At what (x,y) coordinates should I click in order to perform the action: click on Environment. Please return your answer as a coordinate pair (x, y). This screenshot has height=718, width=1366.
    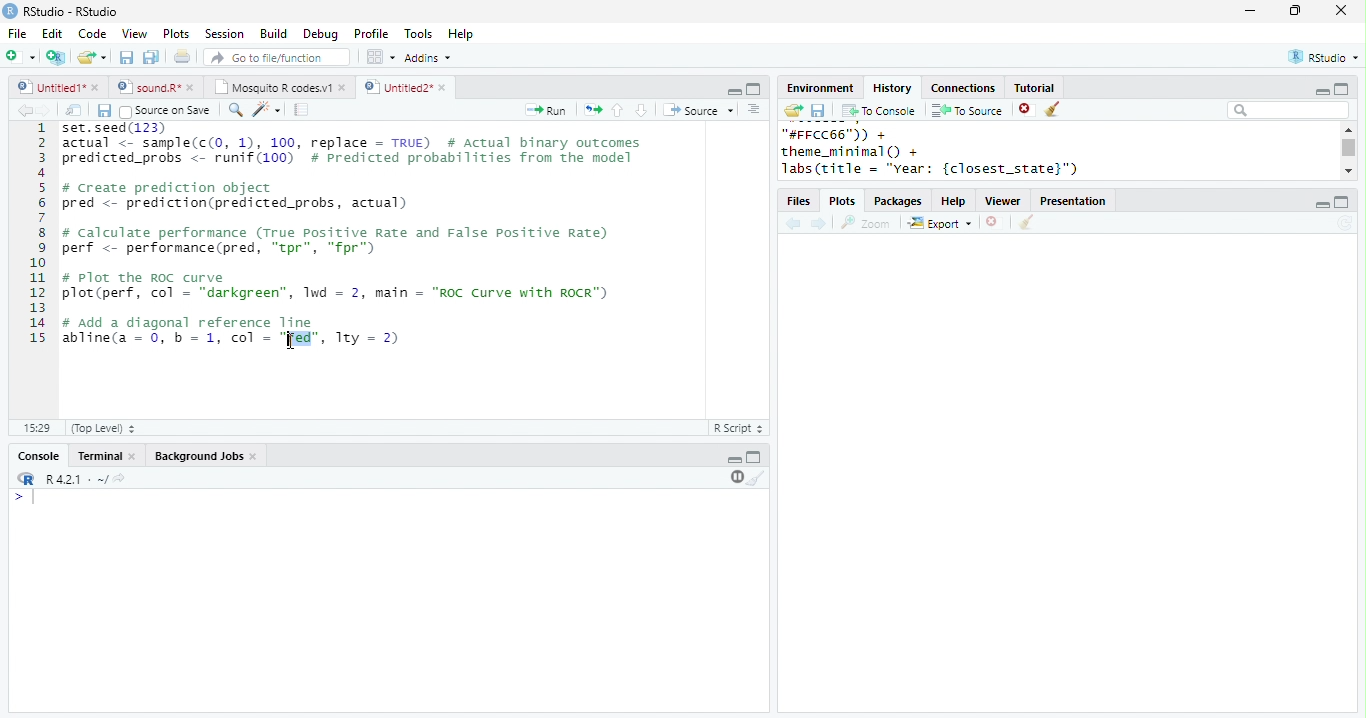
    Looking at the image, I should click on (819, 88).